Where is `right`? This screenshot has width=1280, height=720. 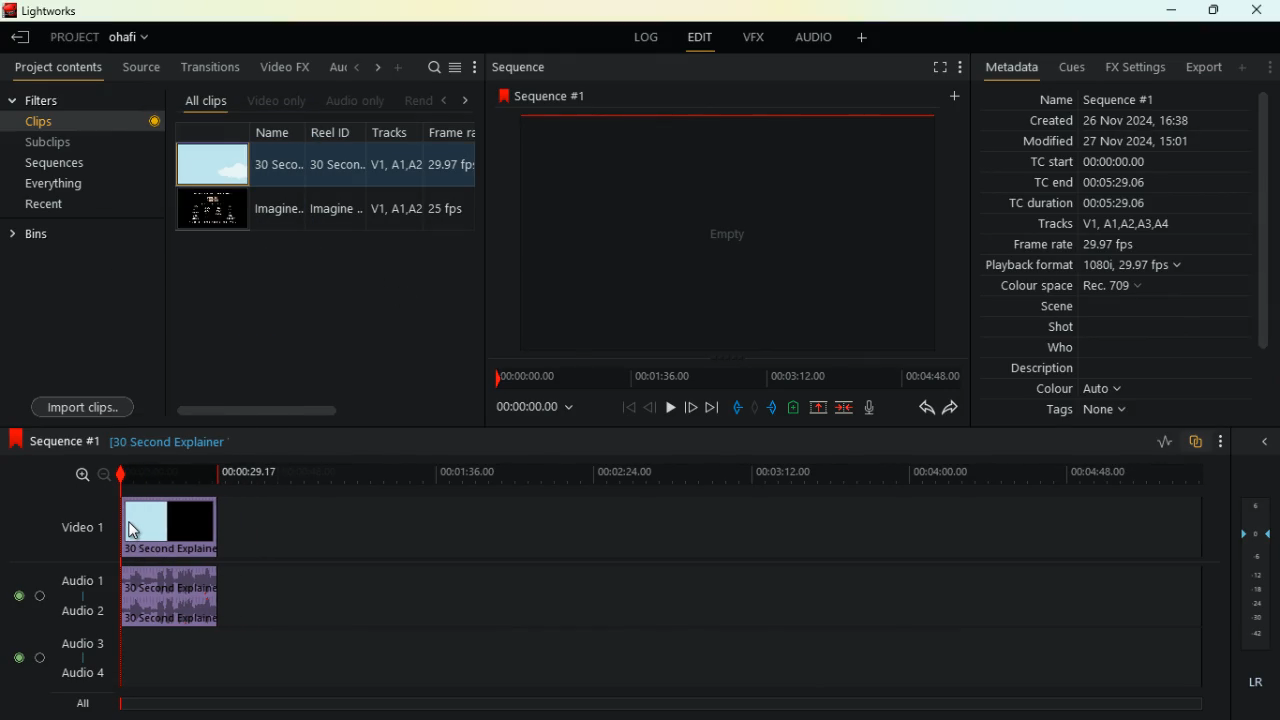 right is located at coordinates (468, 100).